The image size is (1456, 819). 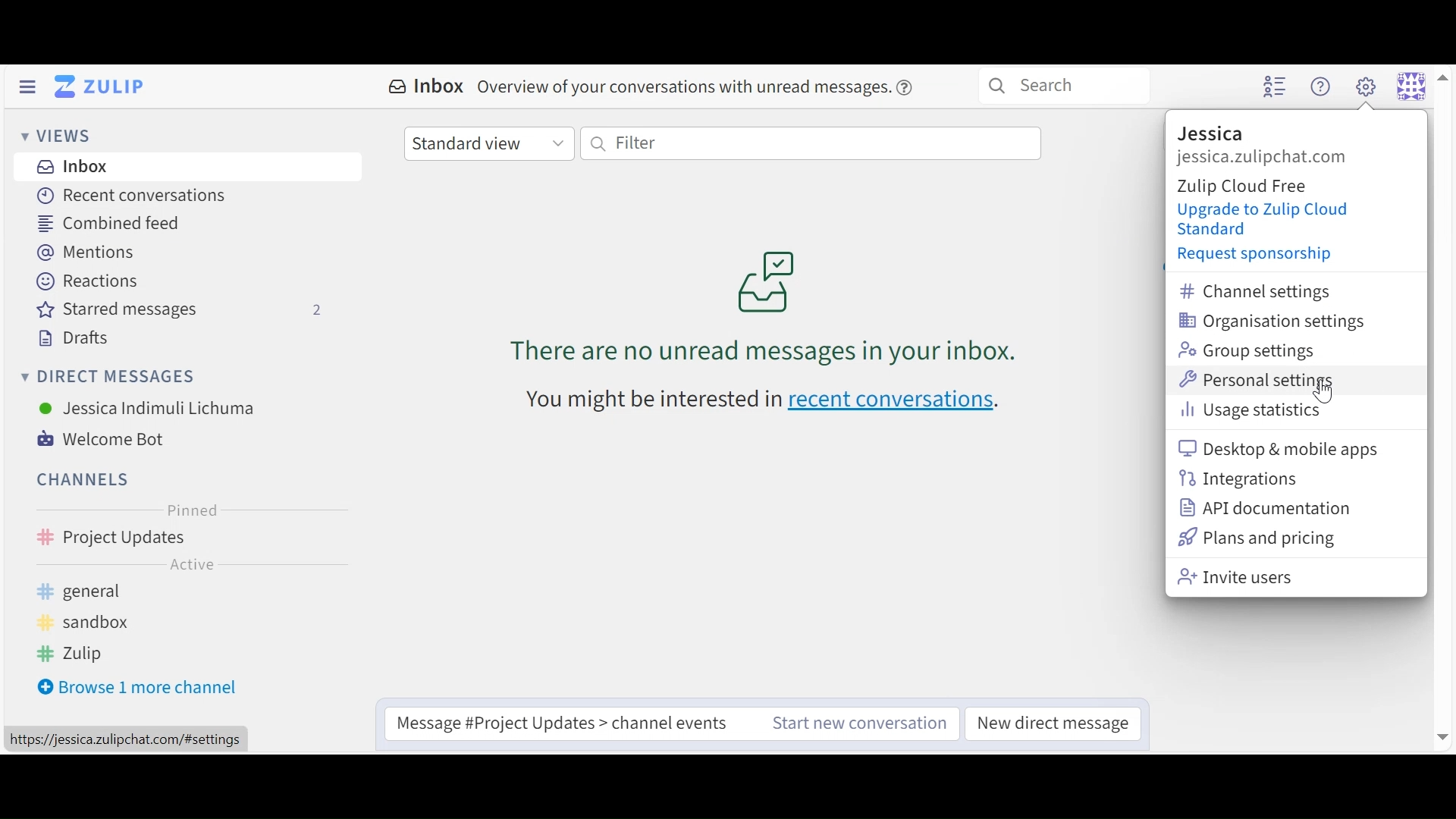 What do you see at coordinates (1254, 257) in the screenshot?
I see `Request sponsorship` at bounding box center [1254, 257].